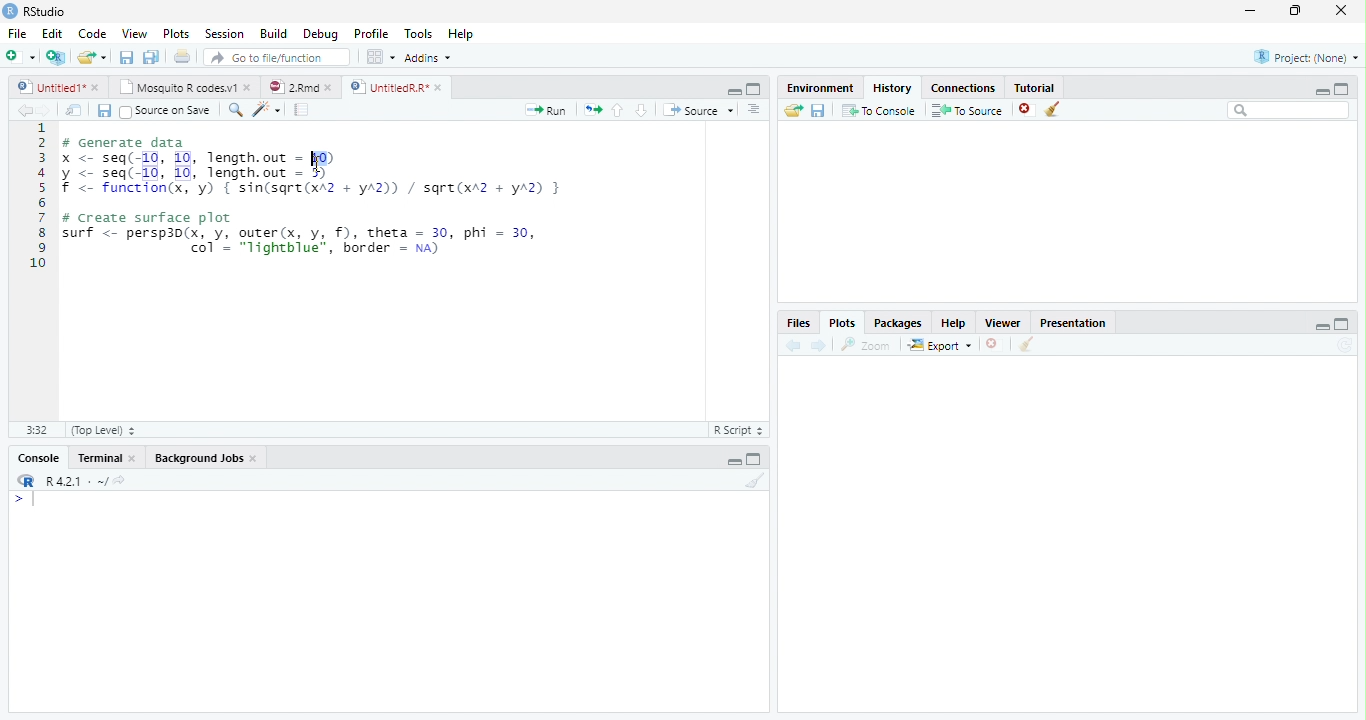 This screenshot has width=1366, height=720. What do you see at coordinates (893, 87) in the screenshot?
I see `History` at bounding box center [893, 87].